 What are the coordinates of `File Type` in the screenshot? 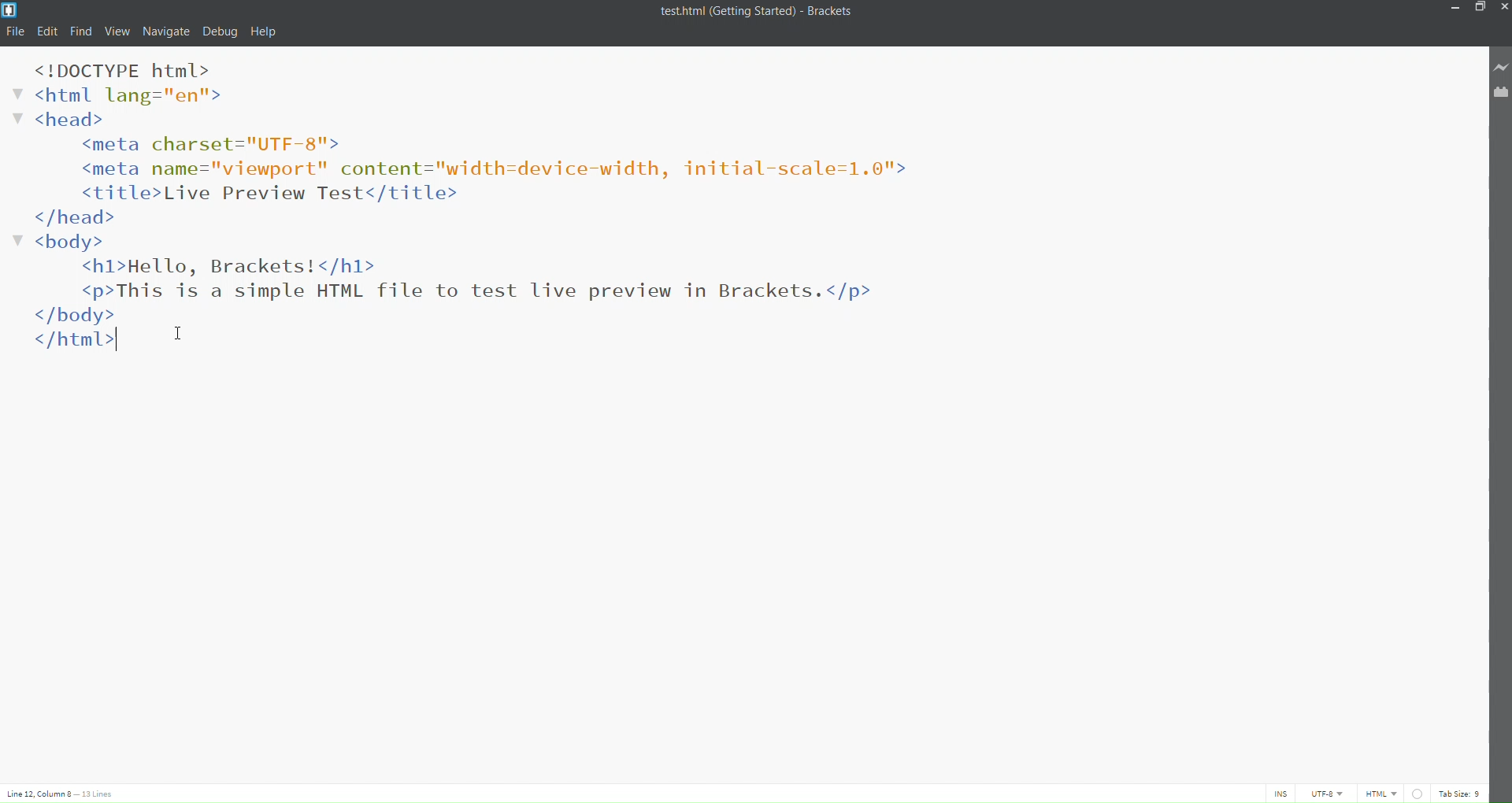 It's located at (1379, 794).